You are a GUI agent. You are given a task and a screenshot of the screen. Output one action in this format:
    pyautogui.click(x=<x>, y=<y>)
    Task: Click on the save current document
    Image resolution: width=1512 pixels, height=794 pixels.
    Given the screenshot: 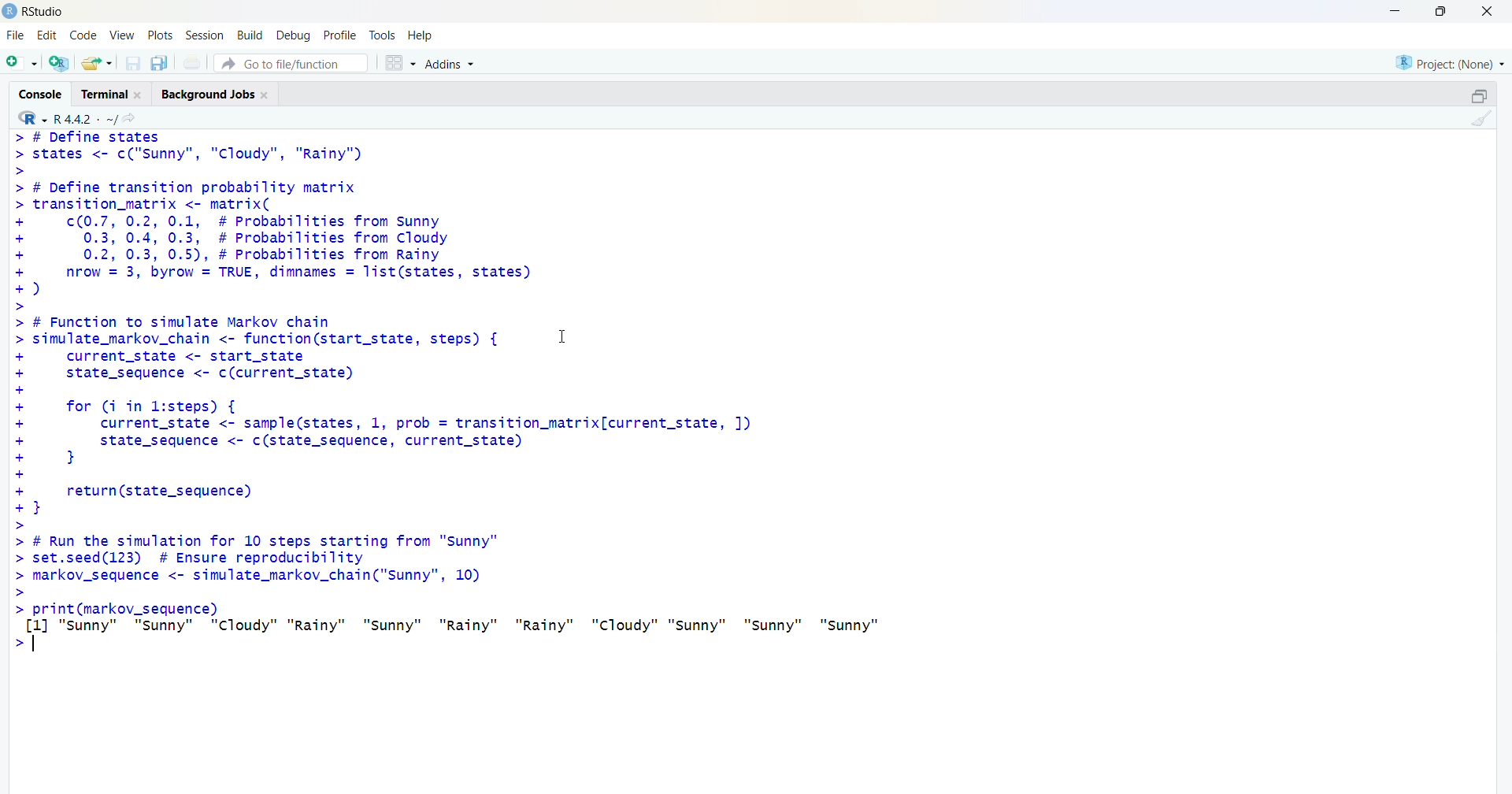 What is the action you would take?
    pyautogui.click(x=133, y=64)
    